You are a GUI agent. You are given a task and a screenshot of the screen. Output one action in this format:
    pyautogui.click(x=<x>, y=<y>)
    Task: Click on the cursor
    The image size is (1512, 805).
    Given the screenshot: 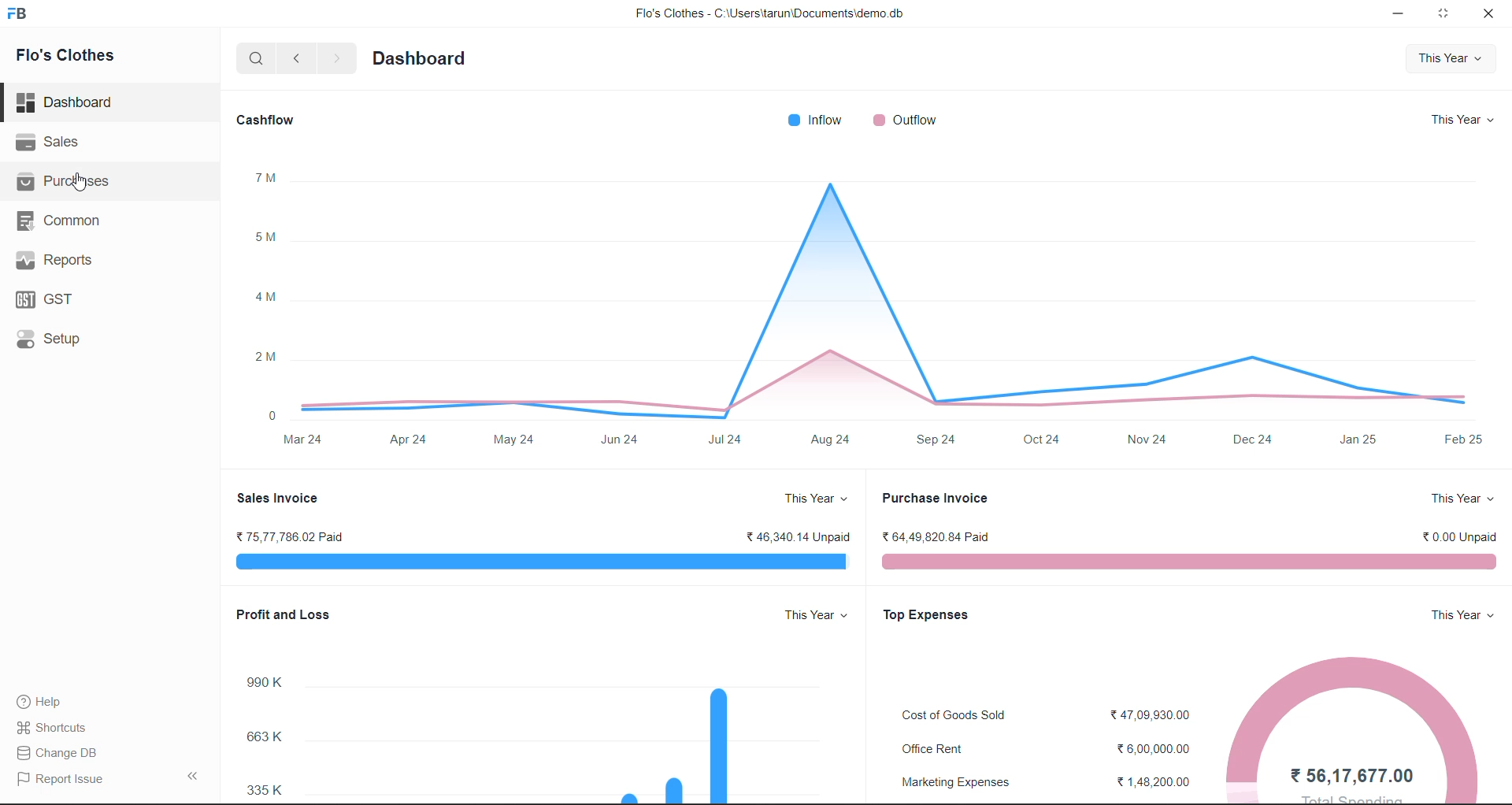 What is the action you would take?
    pyautogui.click(x=81, y=187)
    